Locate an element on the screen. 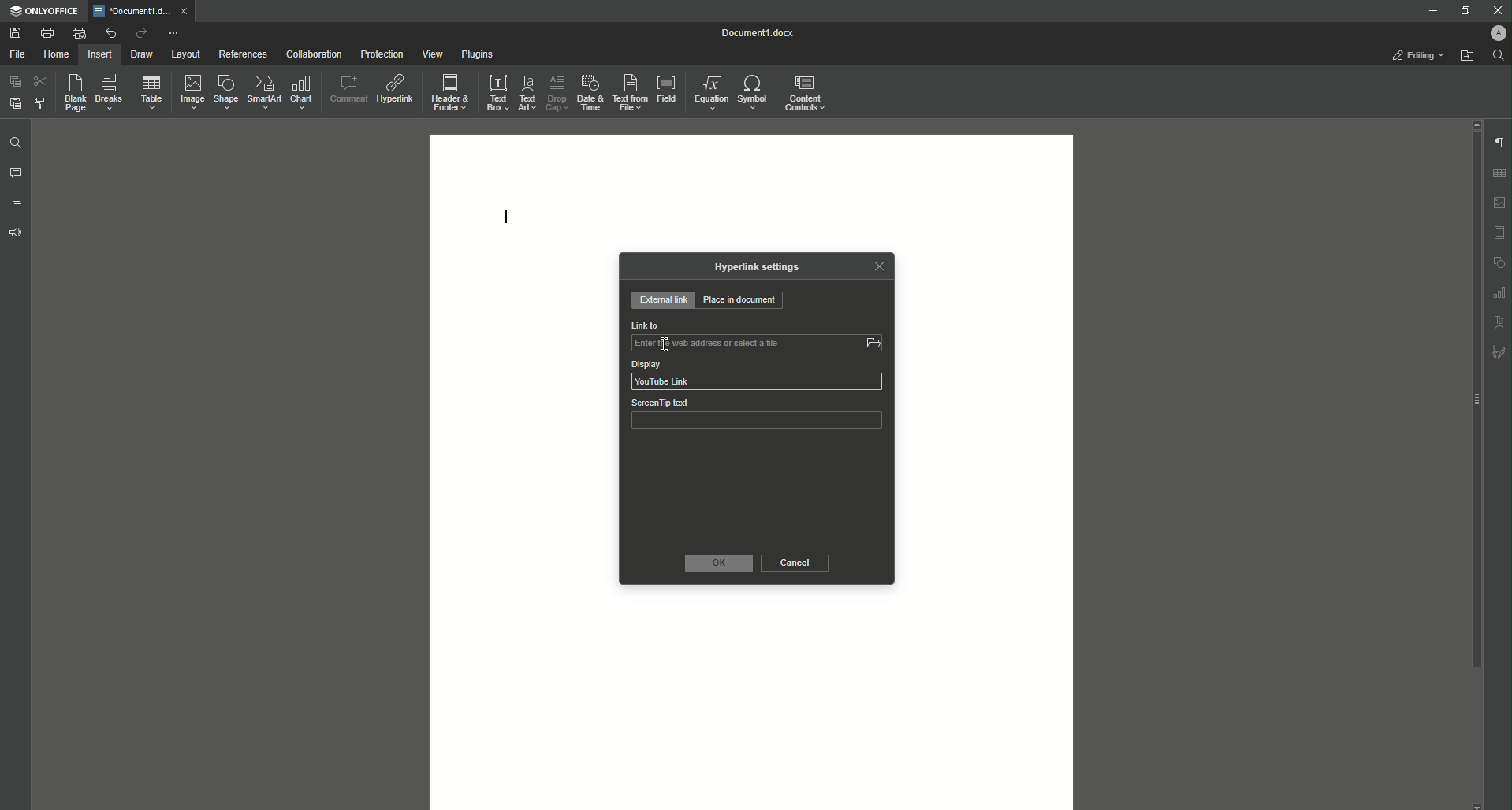 The image size is (1512, 810). Choose Styling is located at coordinates (39, 103).